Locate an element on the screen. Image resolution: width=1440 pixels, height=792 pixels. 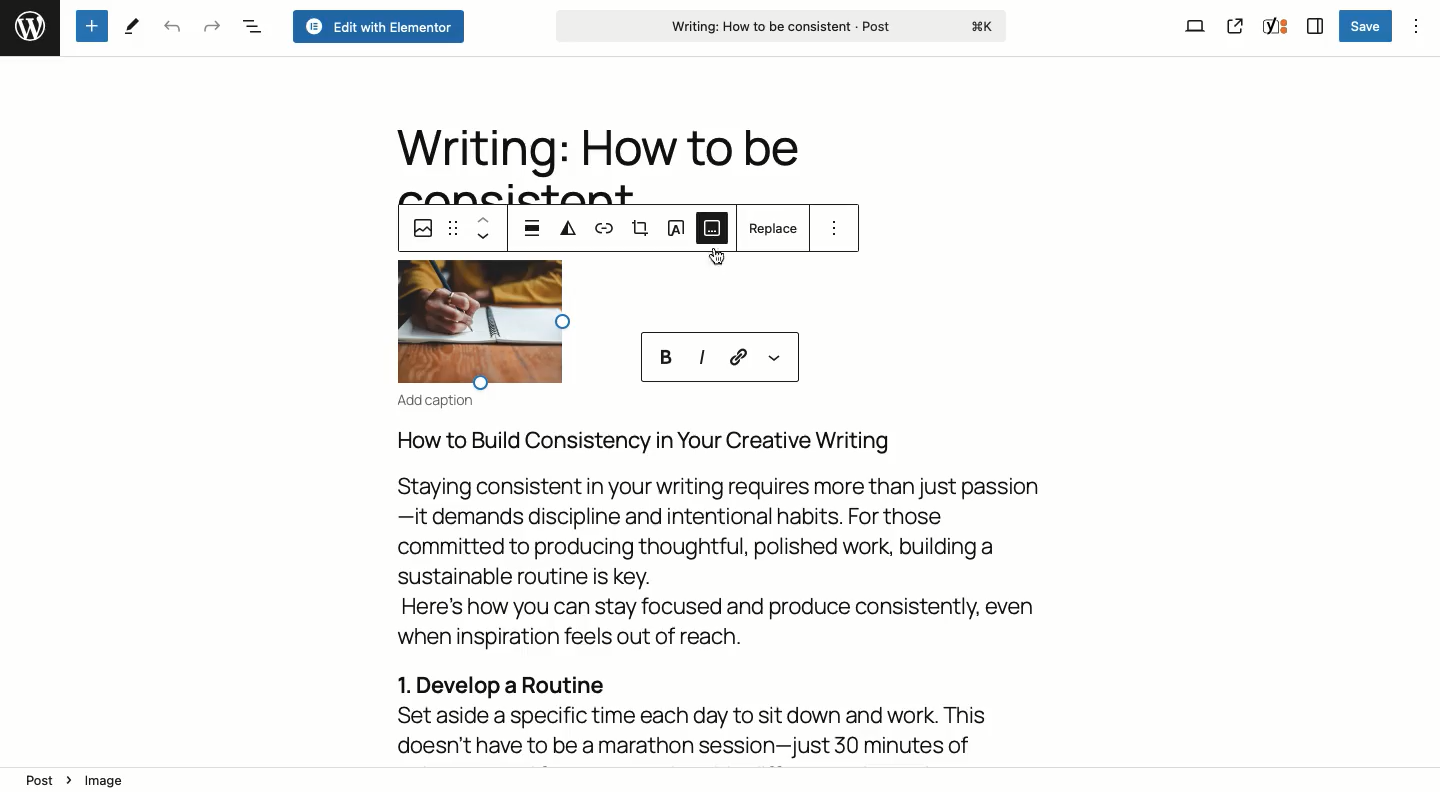
Replace is located at coordinates (774, 228).